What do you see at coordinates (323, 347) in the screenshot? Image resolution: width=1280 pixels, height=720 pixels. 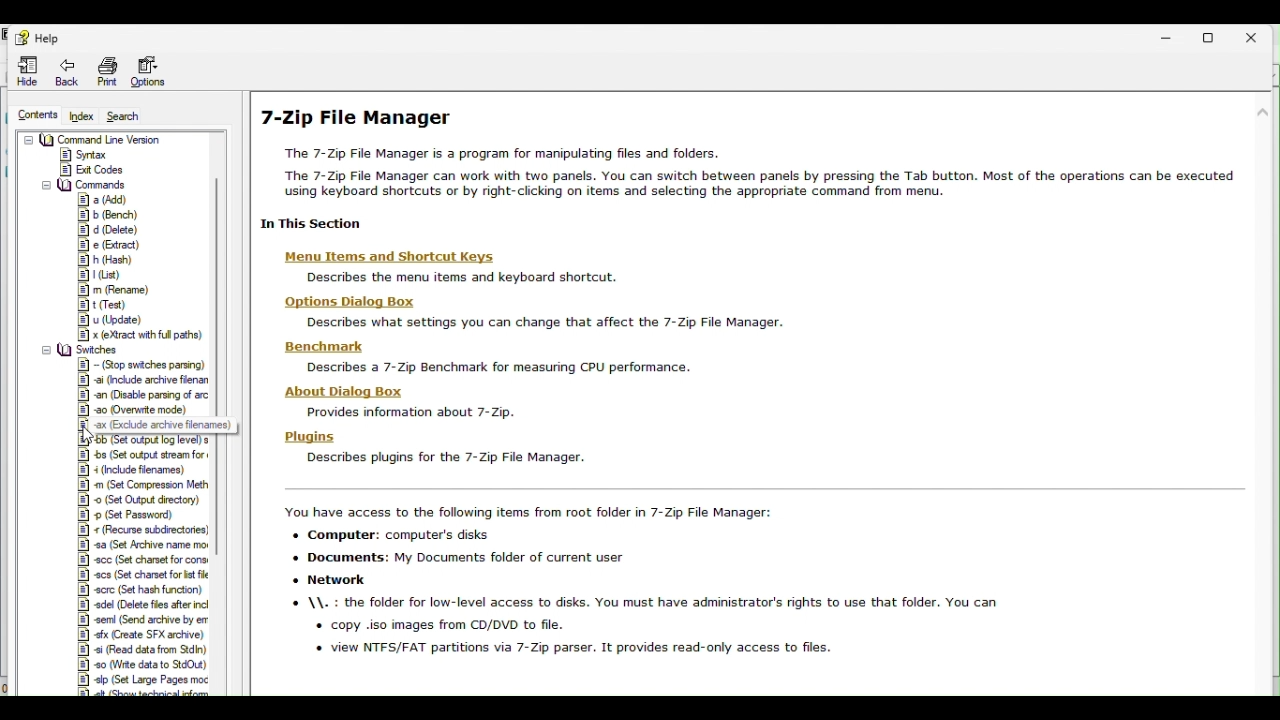 I see `Benchmark` at bounding box center [323, 347].